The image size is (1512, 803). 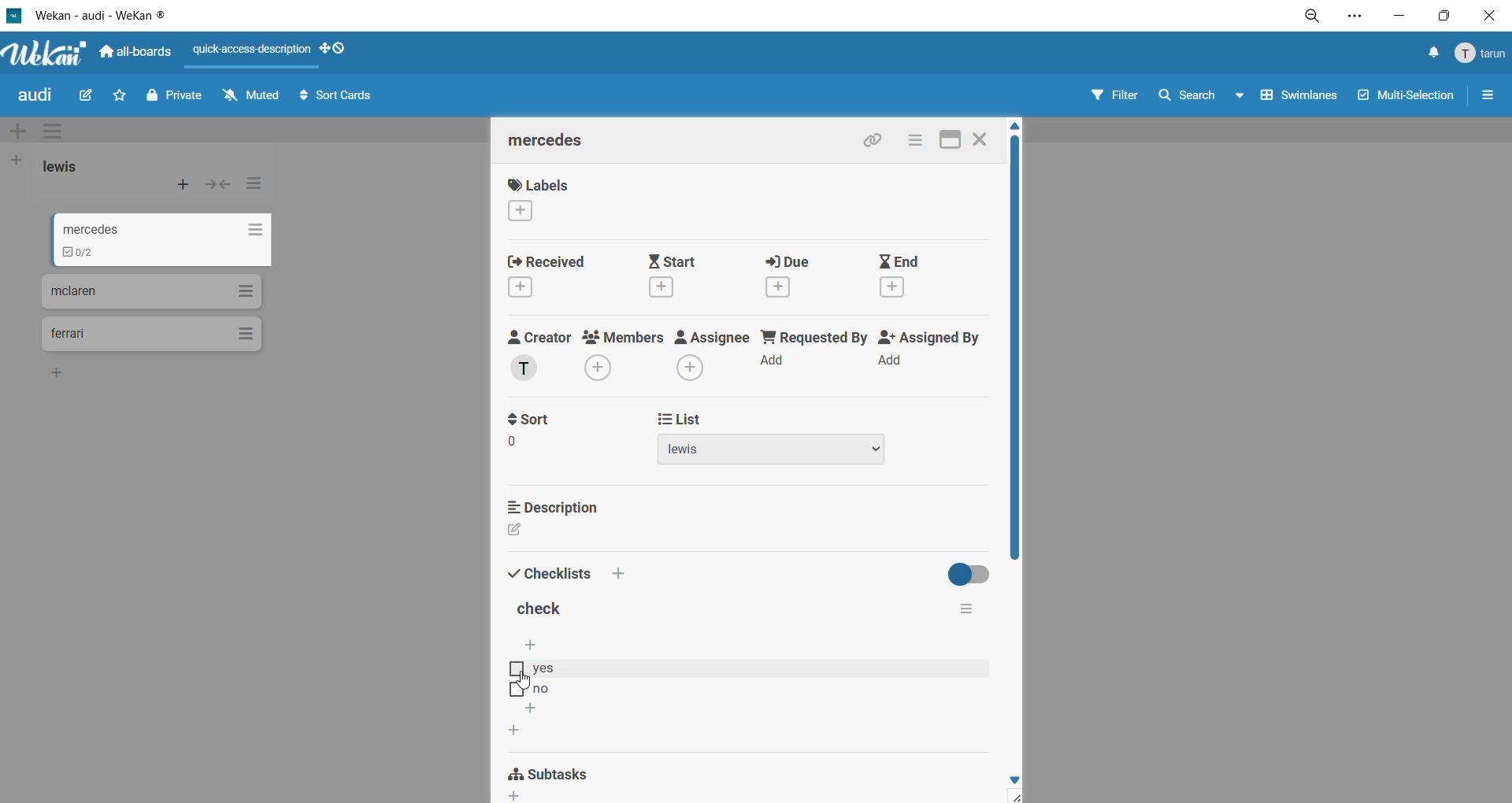 I want to click on notifications, so click(x=1427, y=56).